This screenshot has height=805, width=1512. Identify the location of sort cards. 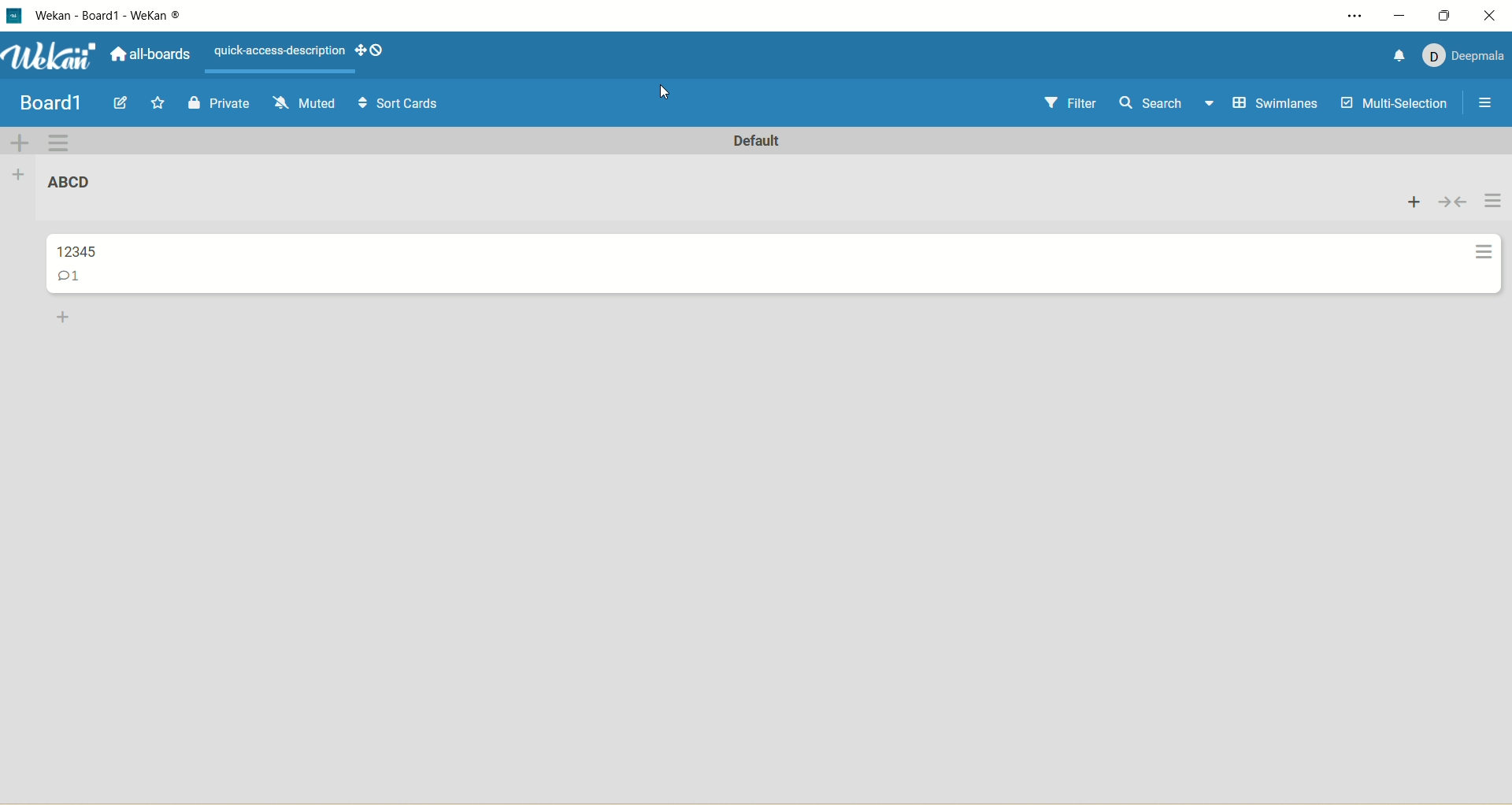
(399, 106).